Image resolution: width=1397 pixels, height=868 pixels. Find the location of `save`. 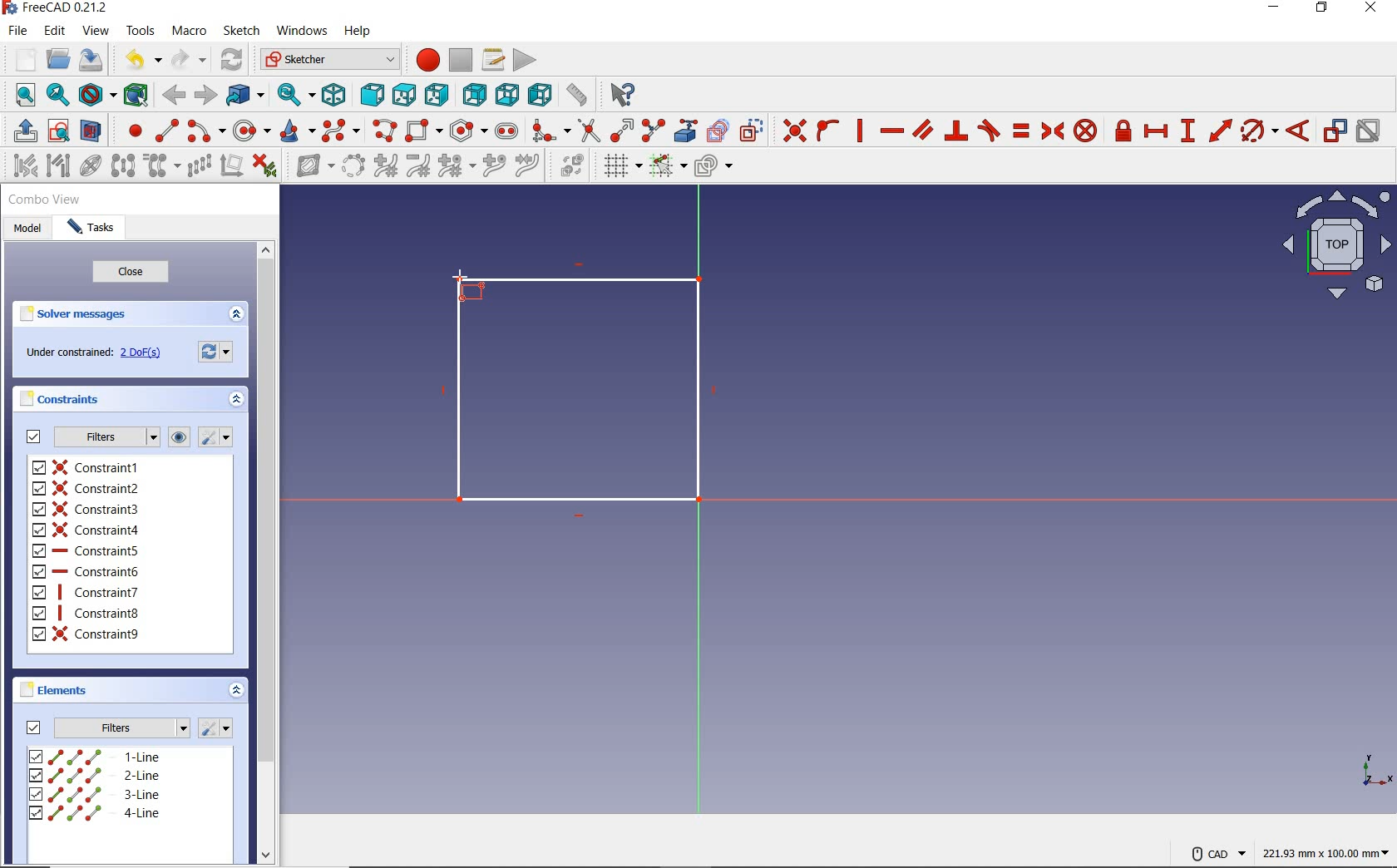

save is located at coordinates (94, 62).